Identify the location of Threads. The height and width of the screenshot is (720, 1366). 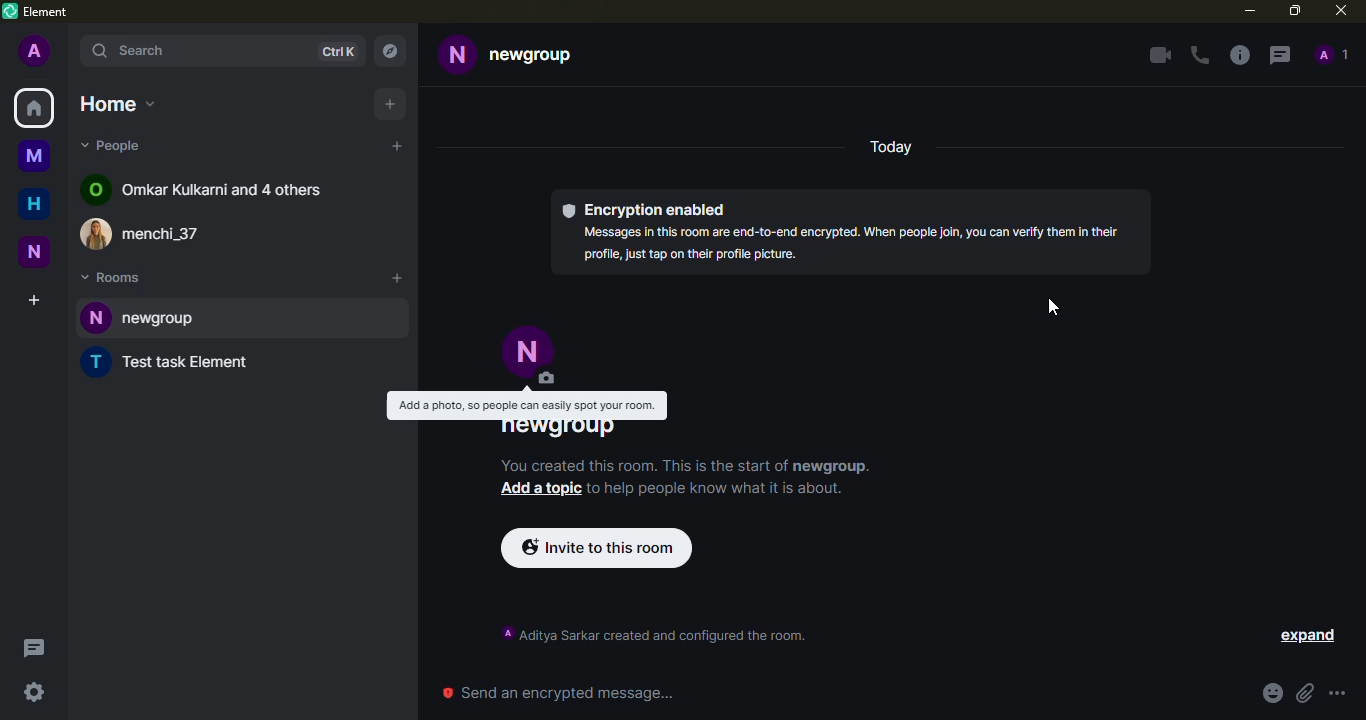
(35, 648).